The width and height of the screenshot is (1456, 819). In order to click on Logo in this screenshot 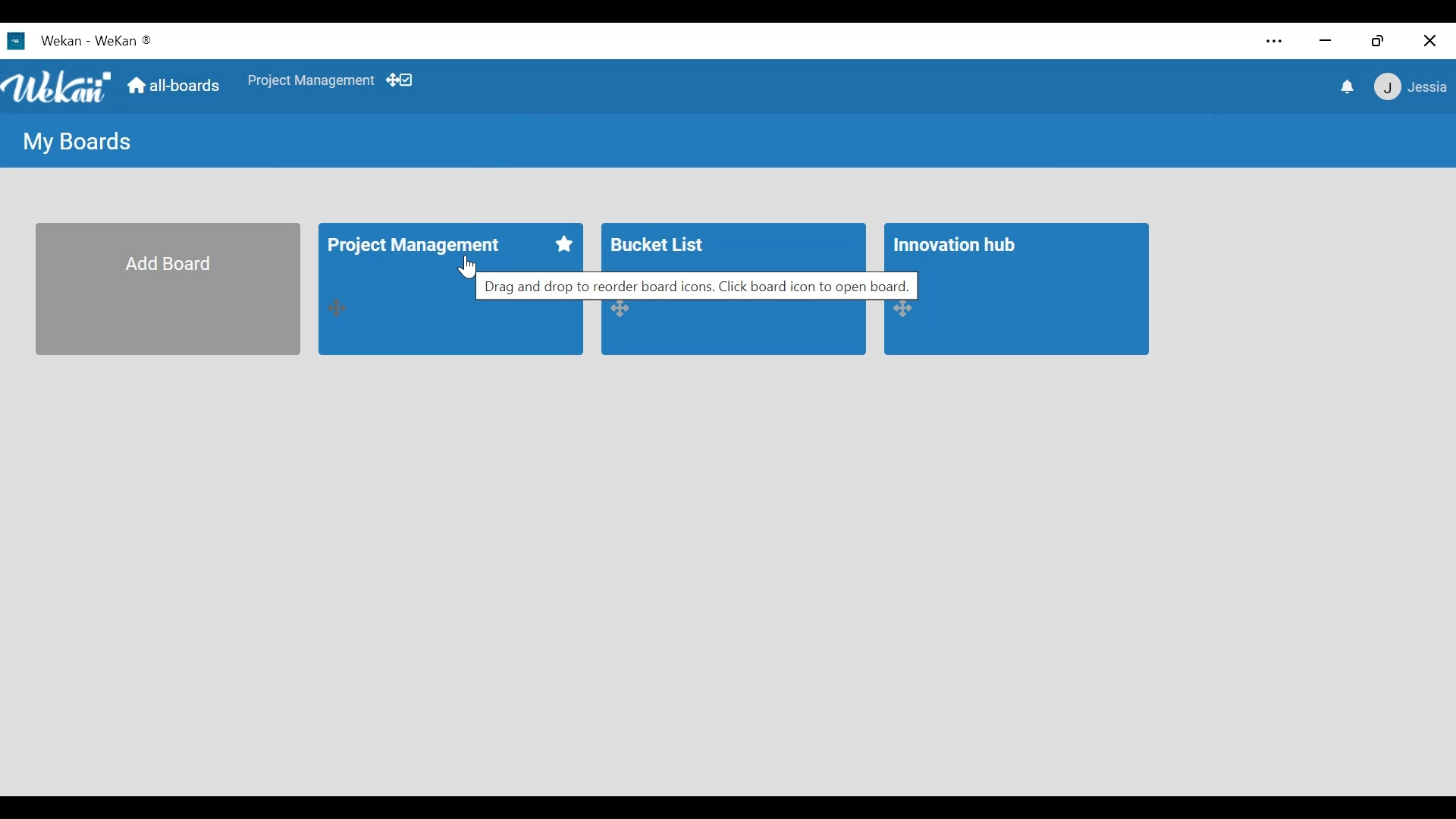, I will do `click(58, 87)`.